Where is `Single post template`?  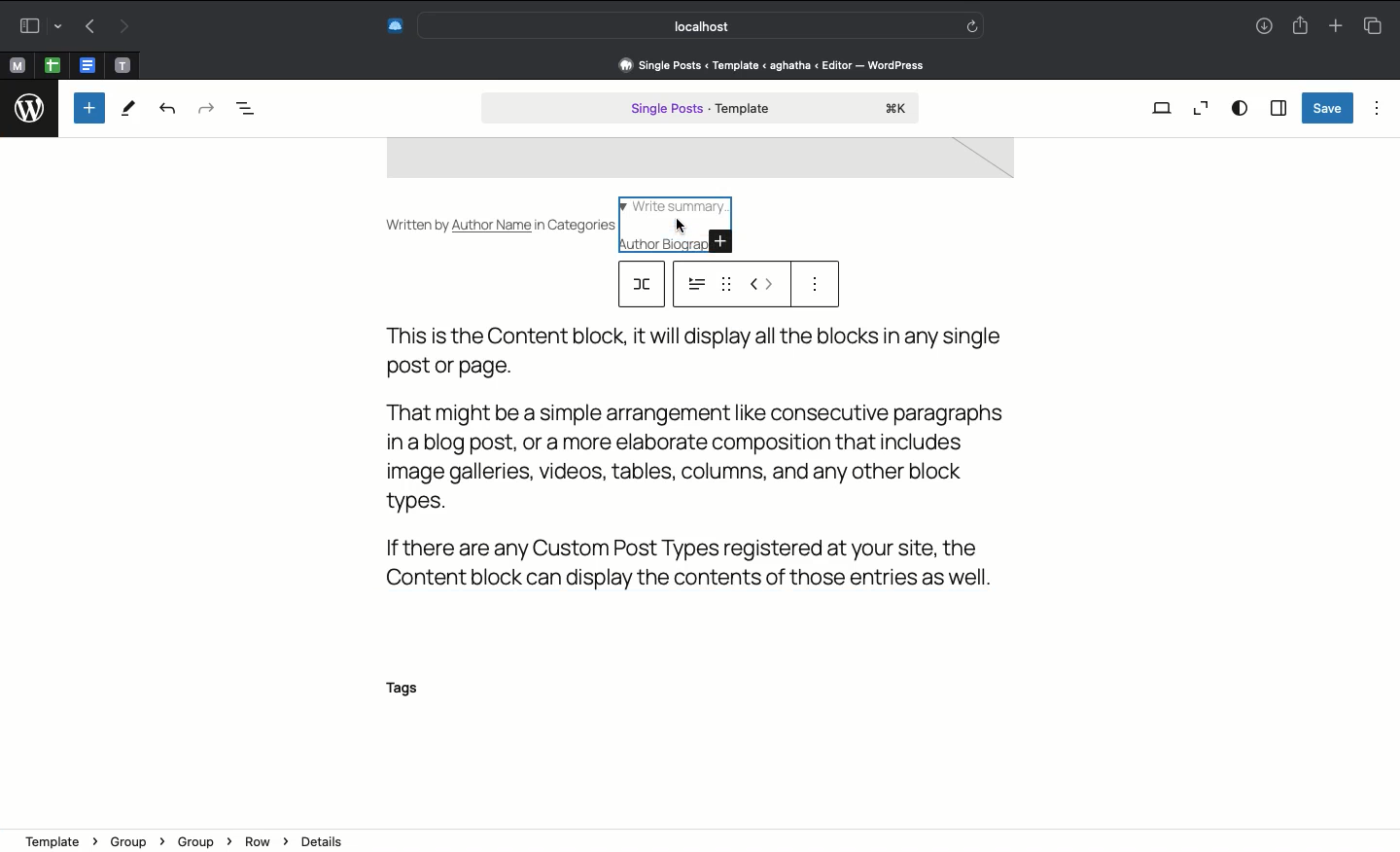 Single post template is located at coordinates (700, 110).